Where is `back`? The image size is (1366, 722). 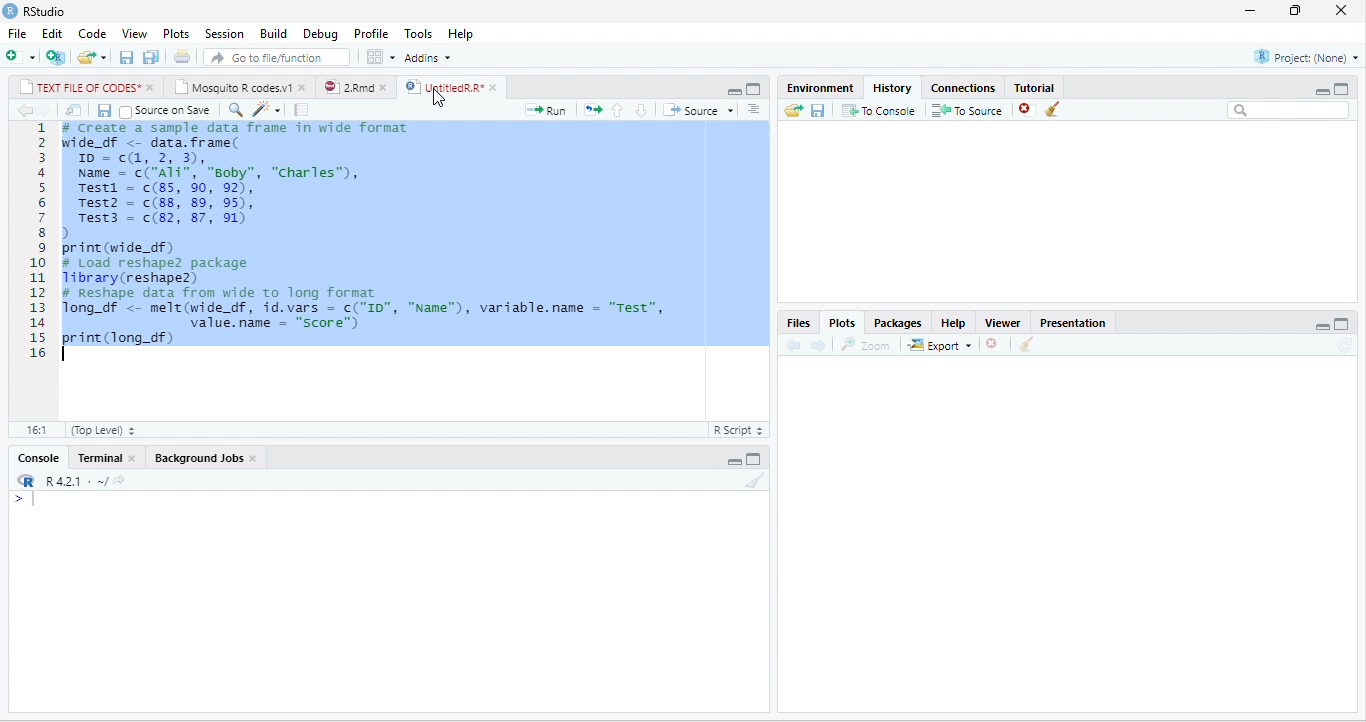
back is located at coordinates (23, 110).